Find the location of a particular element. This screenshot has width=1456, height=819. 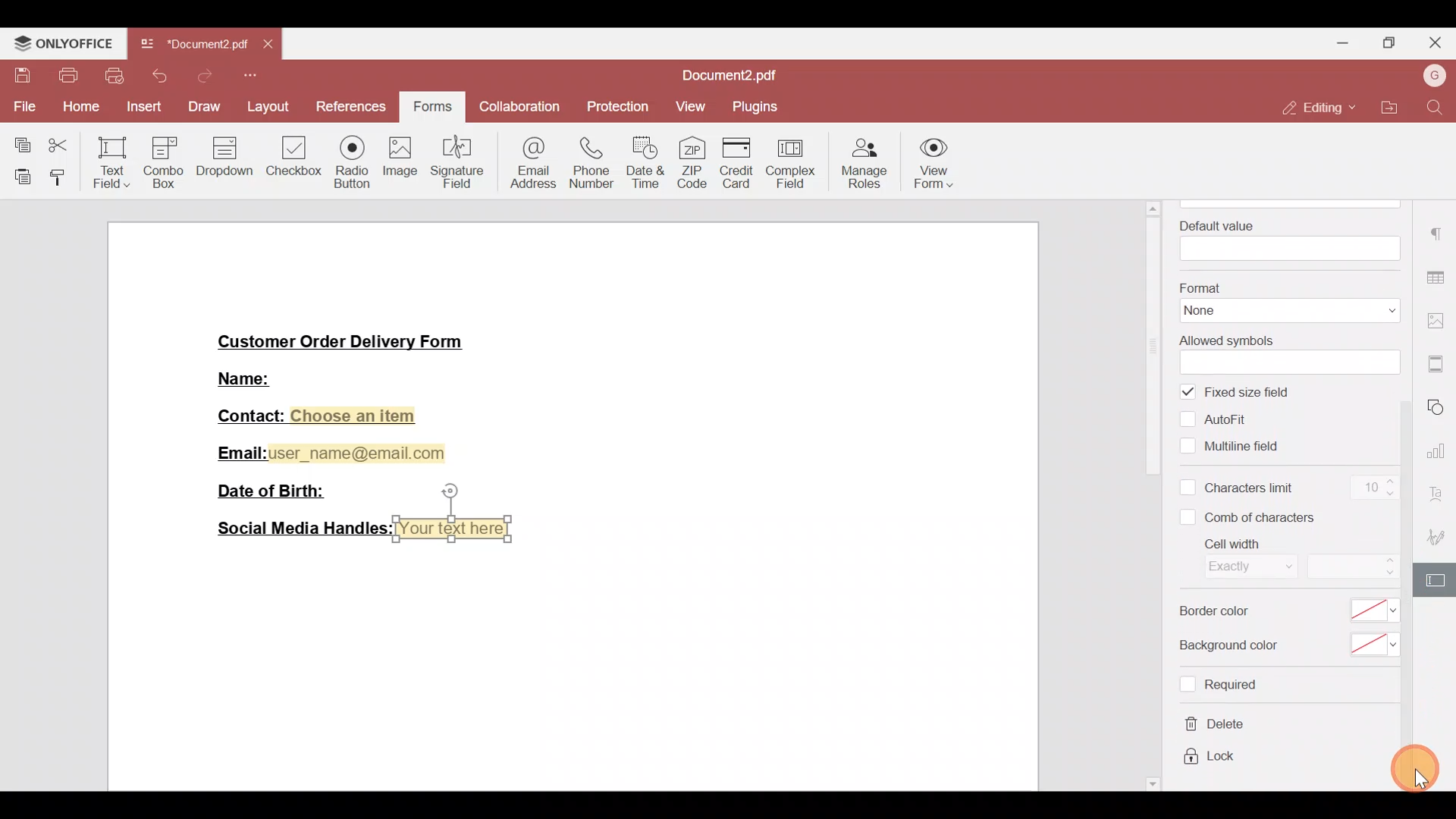

Close tab is located at coordinates (271, 47).